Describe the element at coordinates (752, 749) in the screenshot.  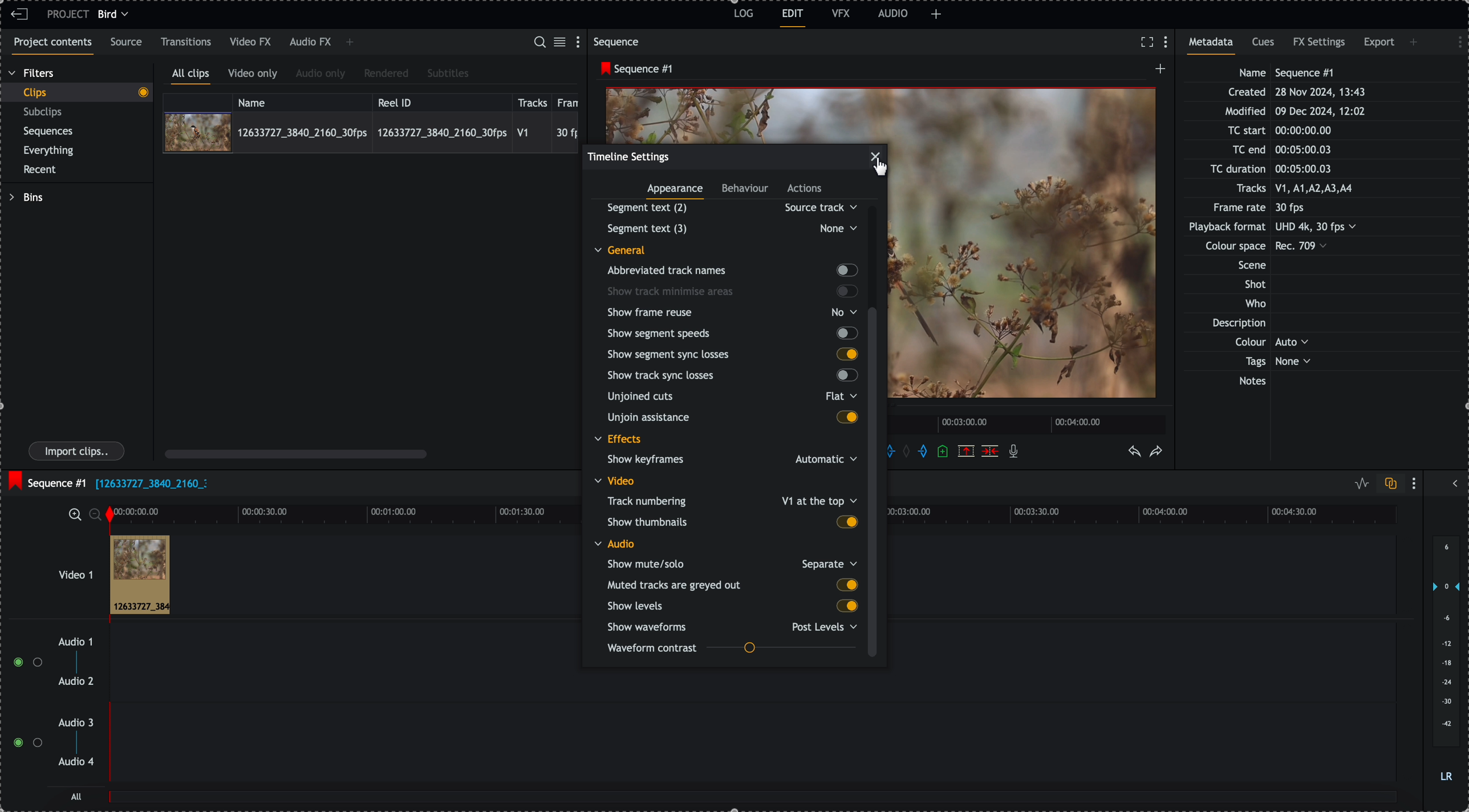
I see `track audio` at that location.